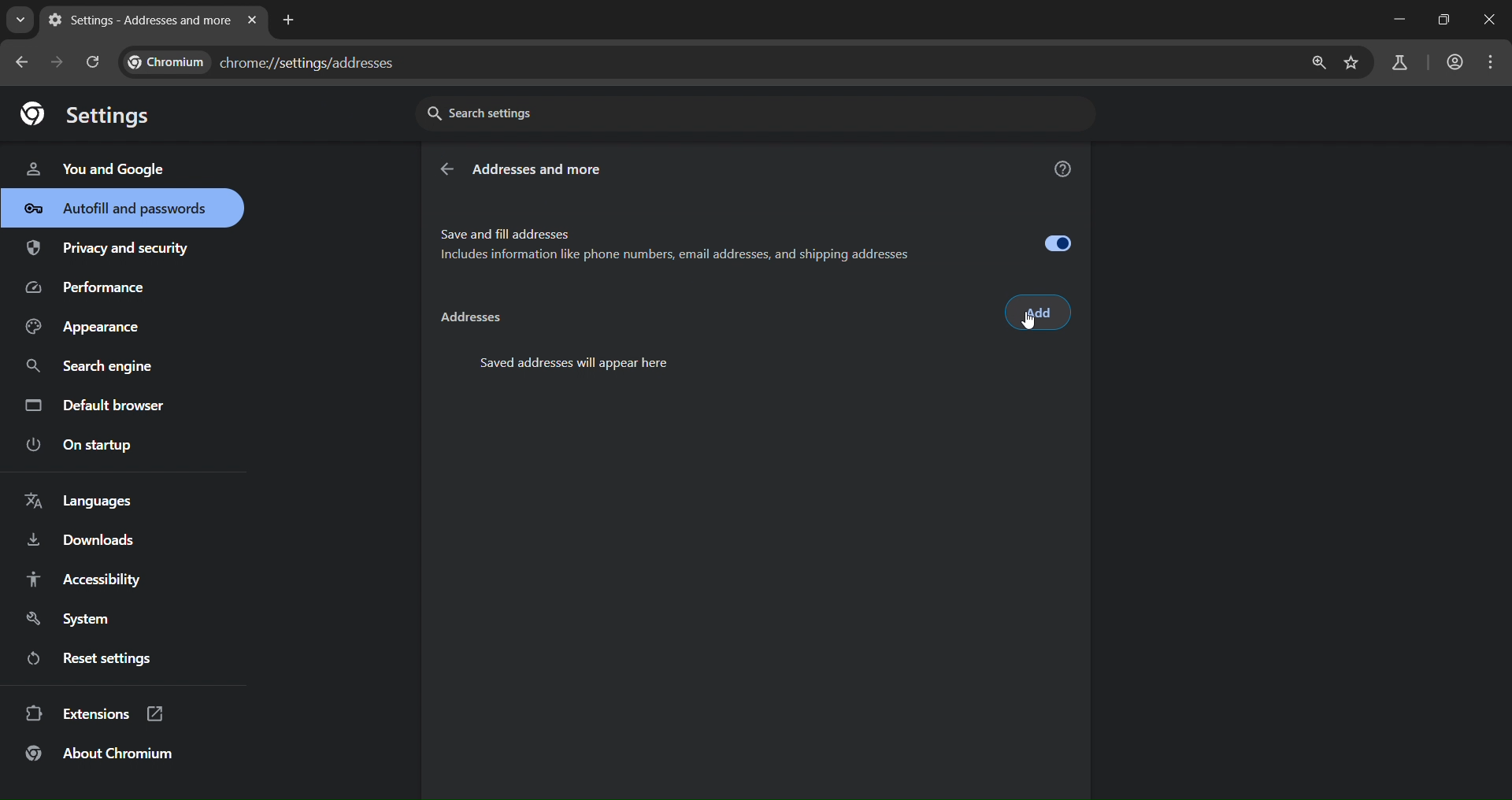 This screenshot has height=800, width=1512. I want to click on search panel, so click(1398, 64).